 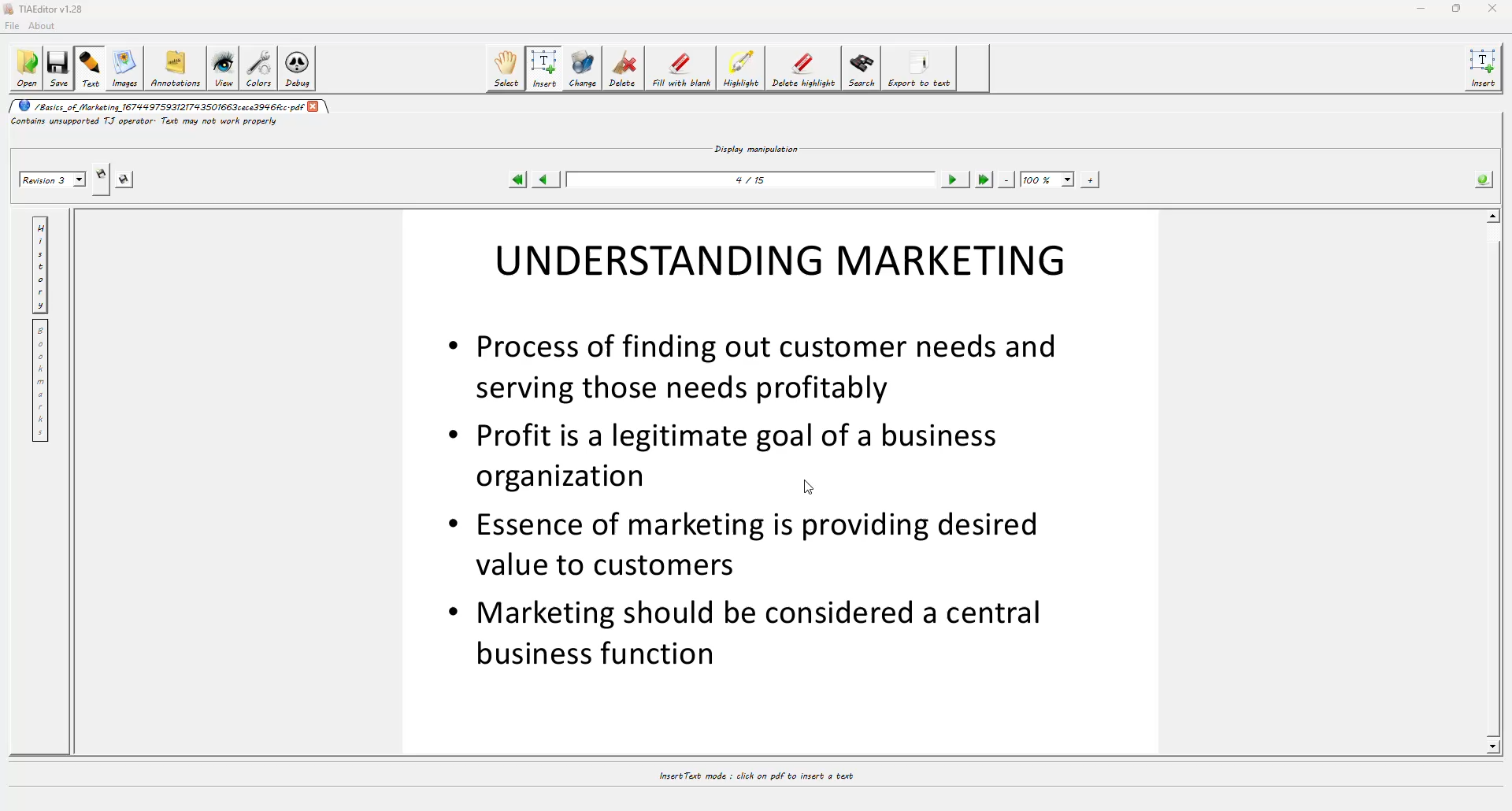 I want to click on saves the revision, so click(x=127, y=181).